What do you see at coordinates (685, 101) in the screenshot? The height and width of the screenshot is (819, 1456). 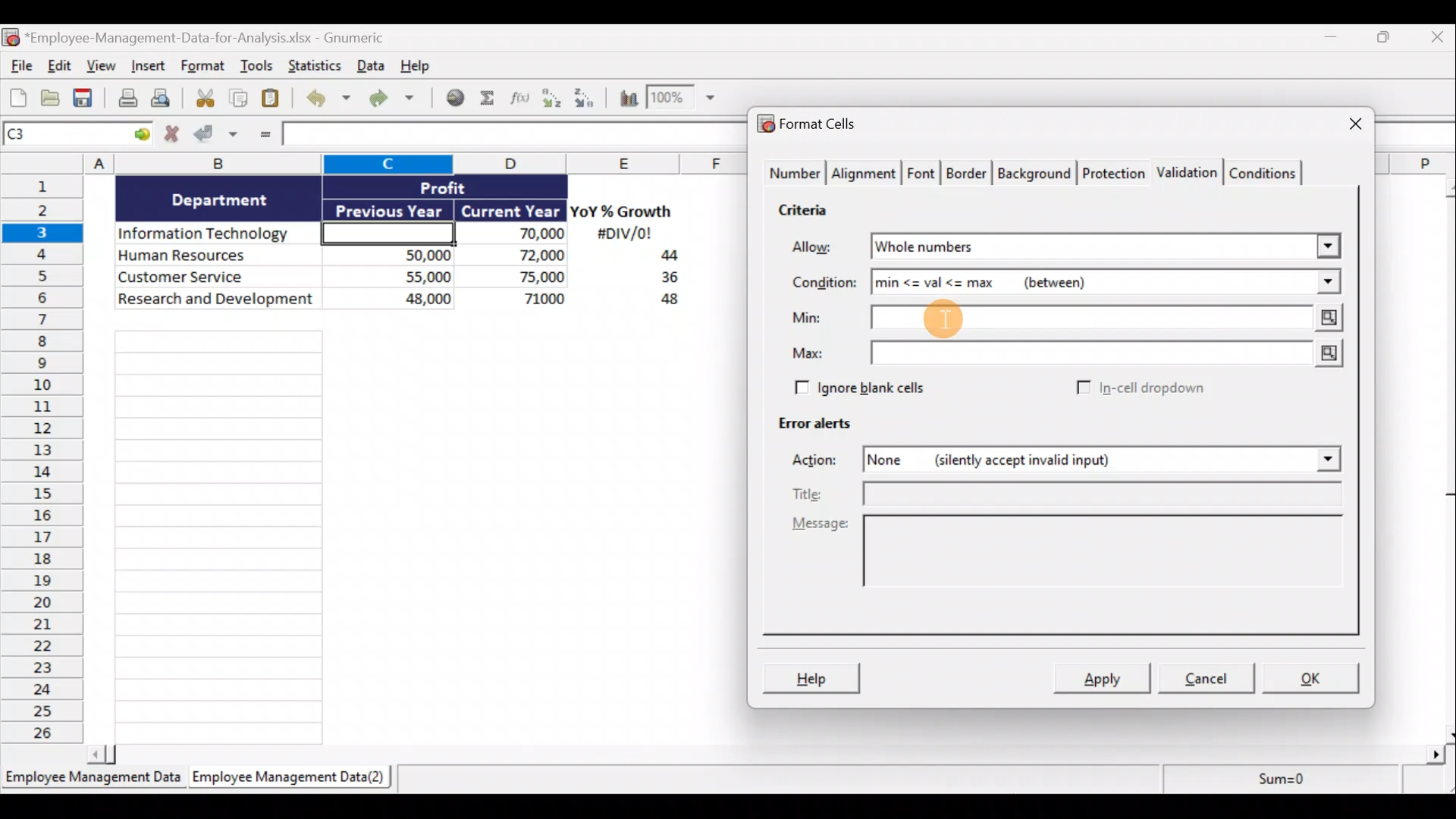 I see `Zoom` at bounding box center [685, 101].